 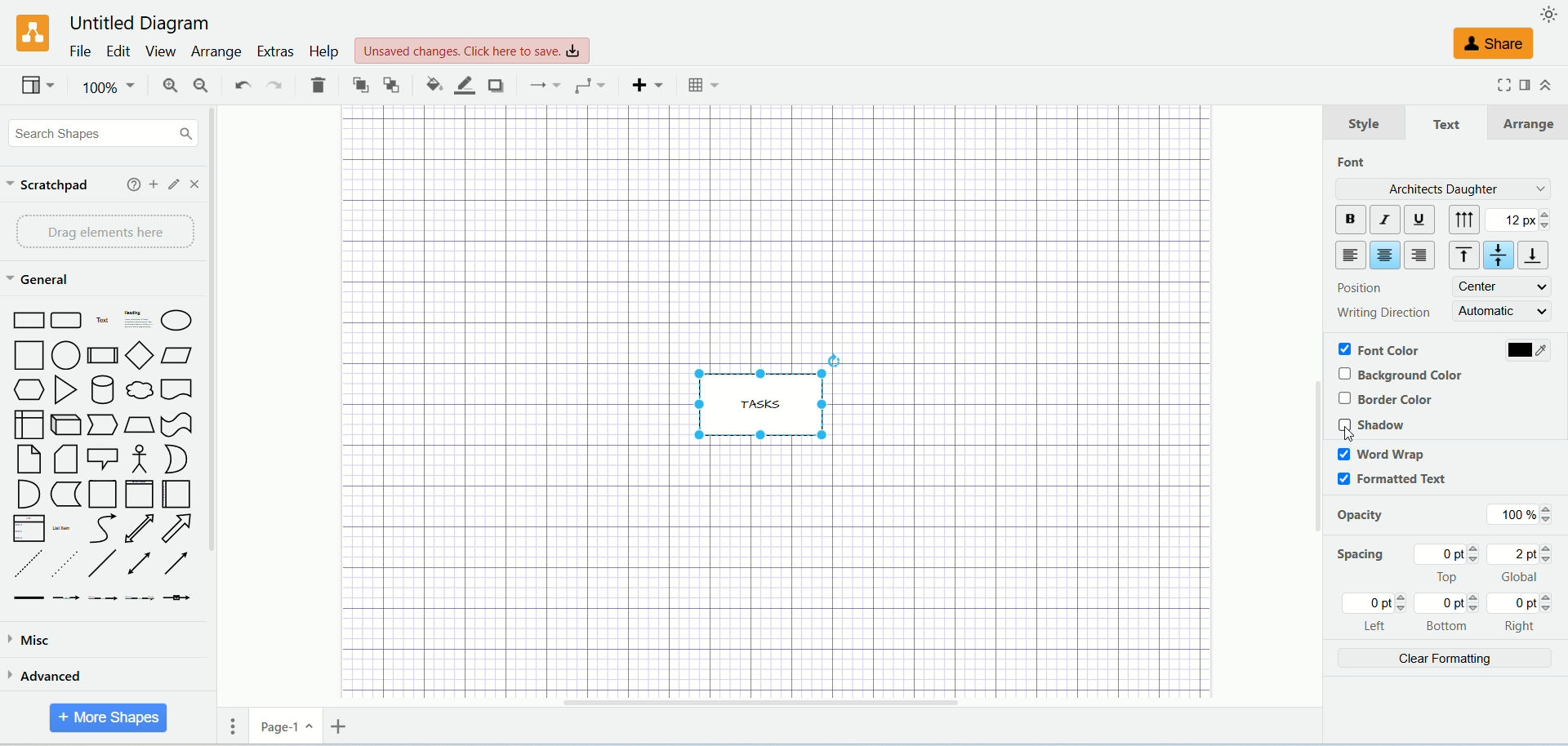 I want to click on vertical, so click(x=1468, y=220).